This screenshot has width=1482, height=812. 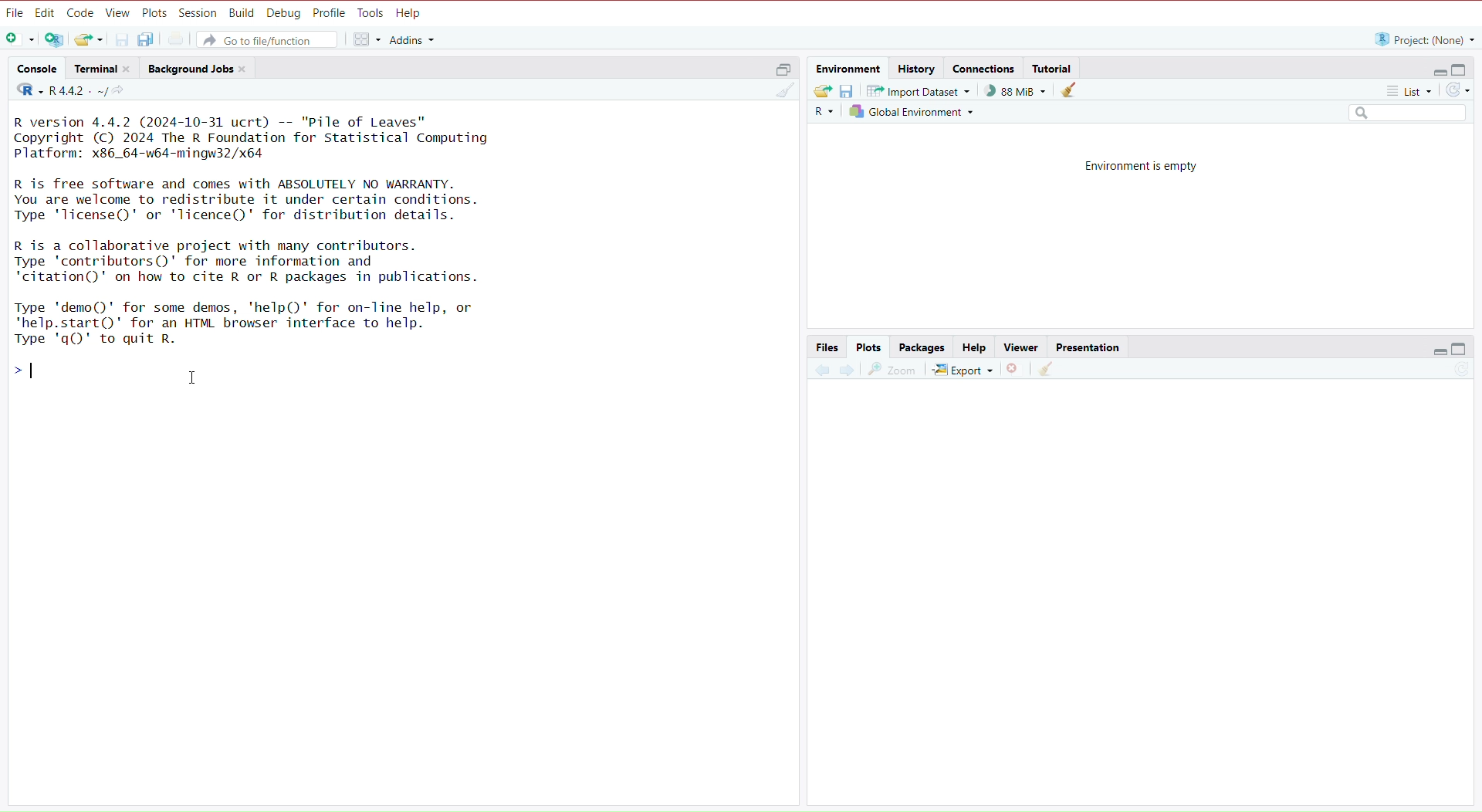 I want to click on Help, so click(x=974, y=347).